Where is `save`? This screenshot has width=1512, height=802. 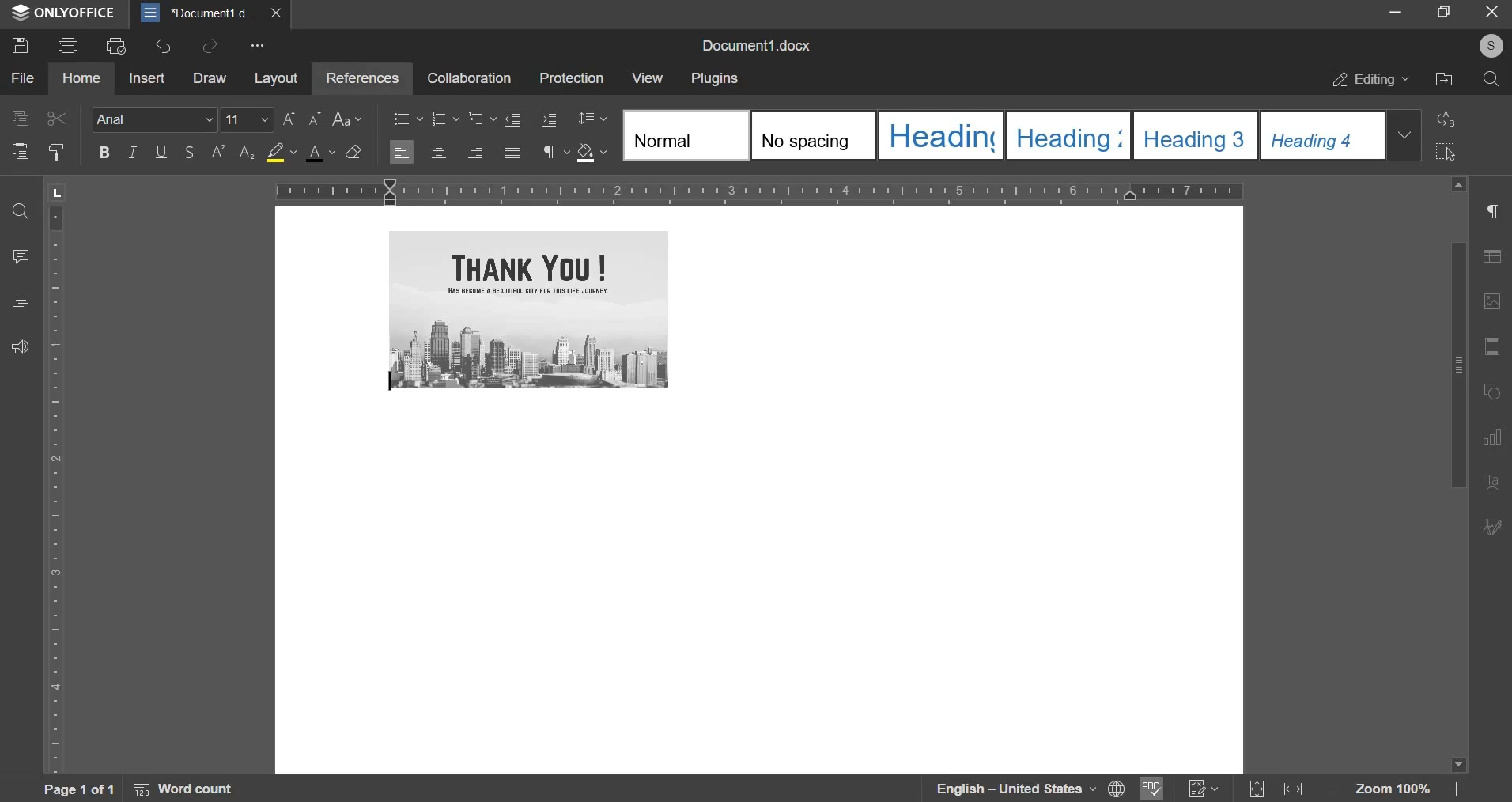 save is located at coordinates (19, 44).